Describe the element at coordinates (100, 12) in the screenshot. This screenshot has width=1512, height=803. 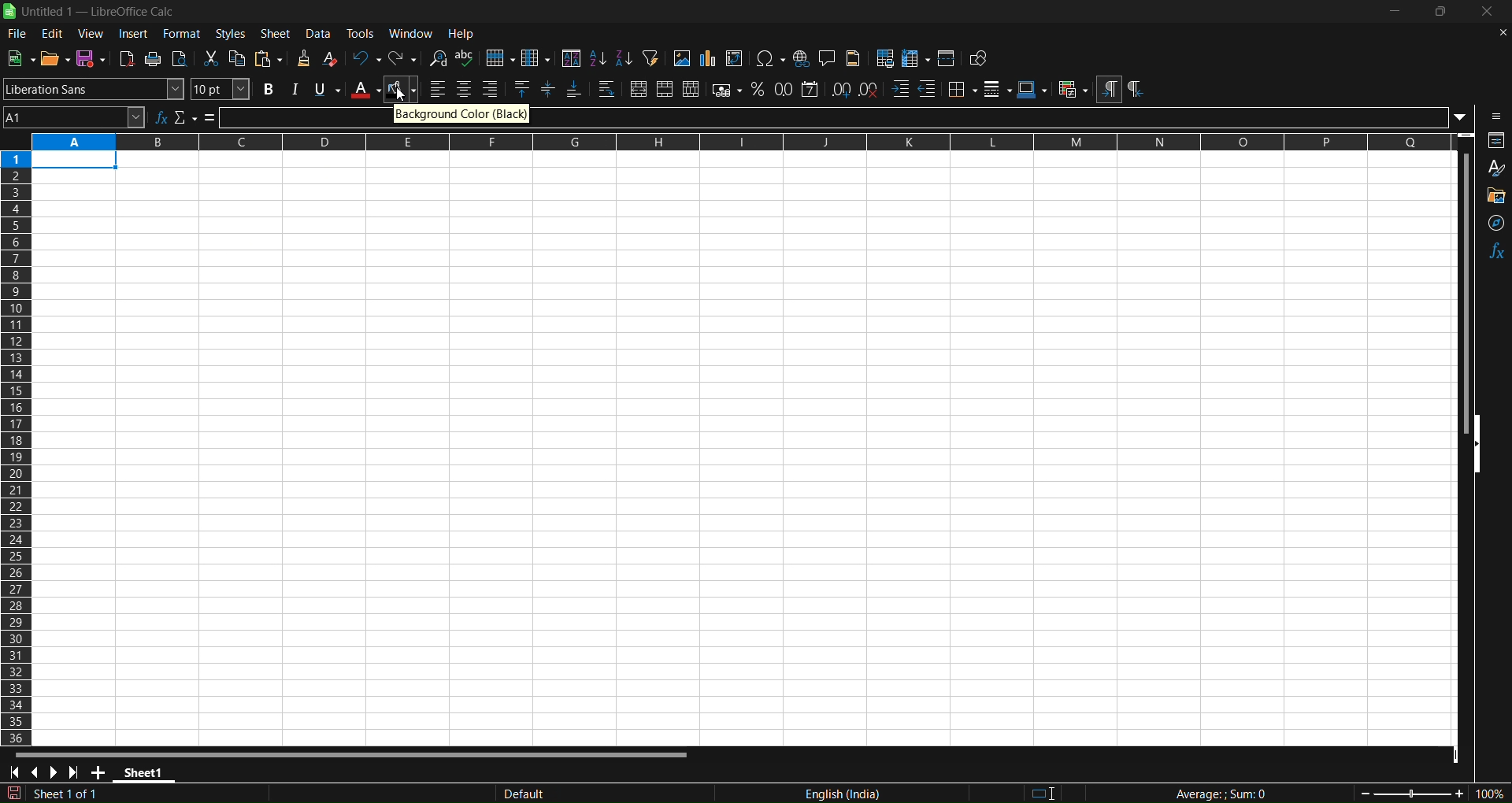
I see `title` at that location.